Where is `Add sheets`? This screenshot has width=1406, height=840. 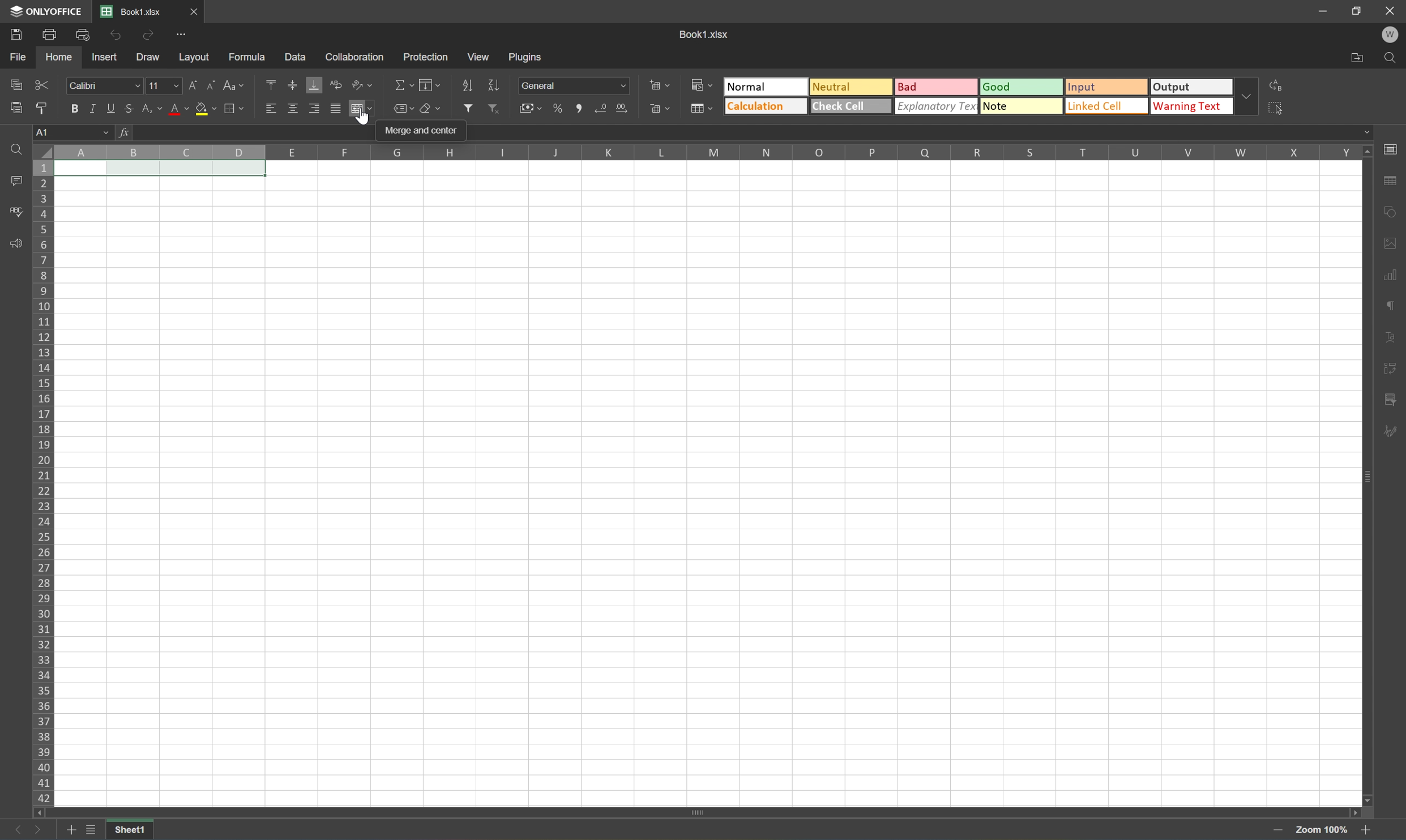
Add sheets is located at coordinates (71, 832).